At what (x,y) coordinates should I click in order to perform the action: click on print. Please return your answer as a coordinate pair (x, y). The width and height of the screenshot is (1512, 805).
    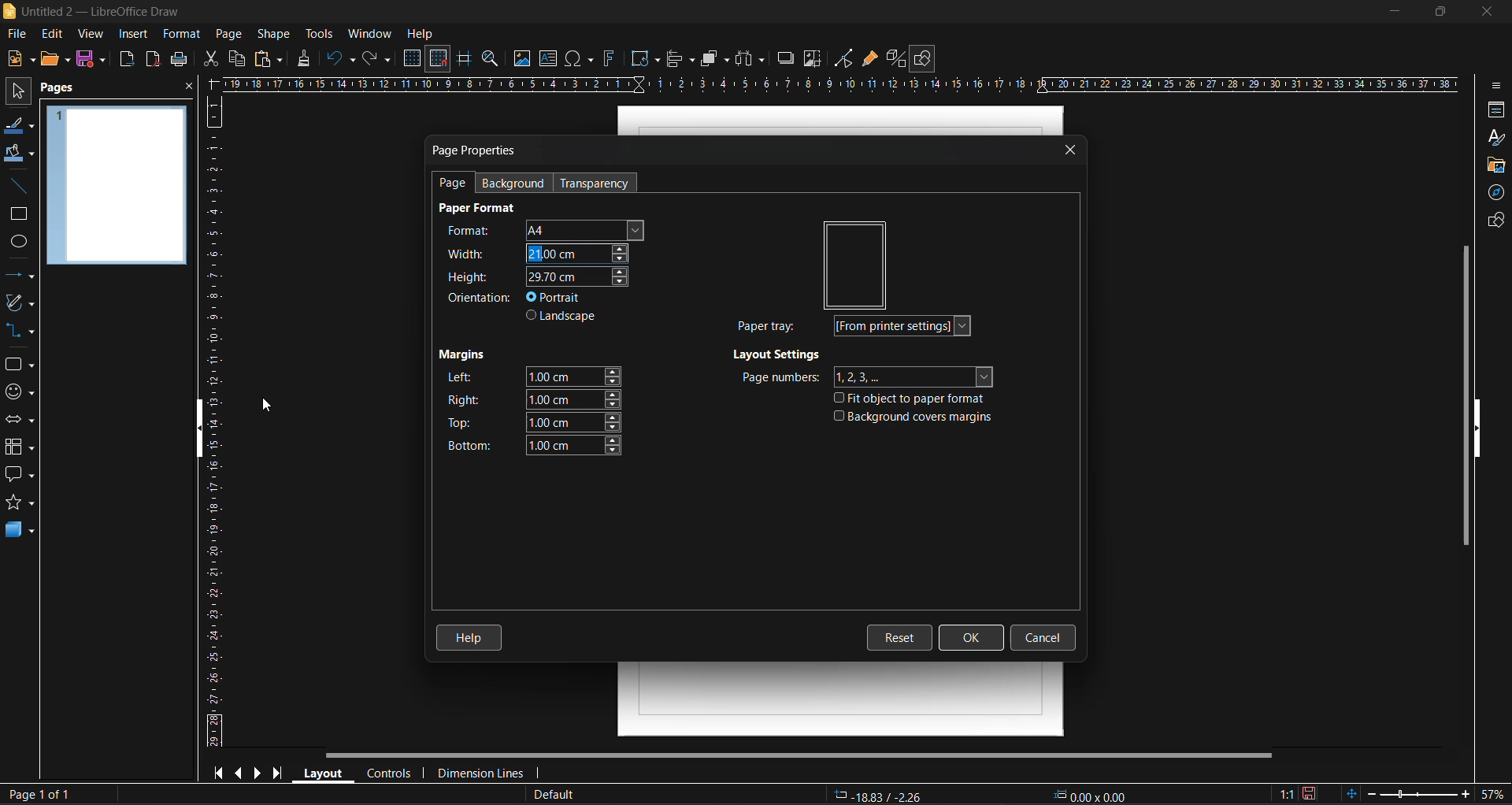
    Looking at the image, I should click on (180, 60).